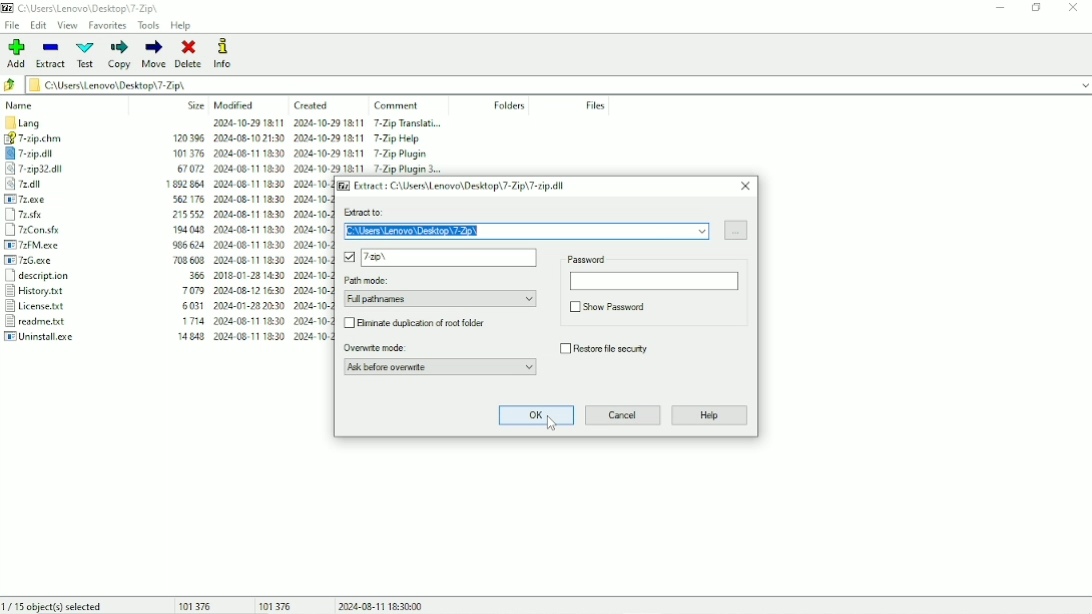  Describe the element at coordinates (55, 606) in the screenshot. I see `1/15 object(s) selected` at that location.